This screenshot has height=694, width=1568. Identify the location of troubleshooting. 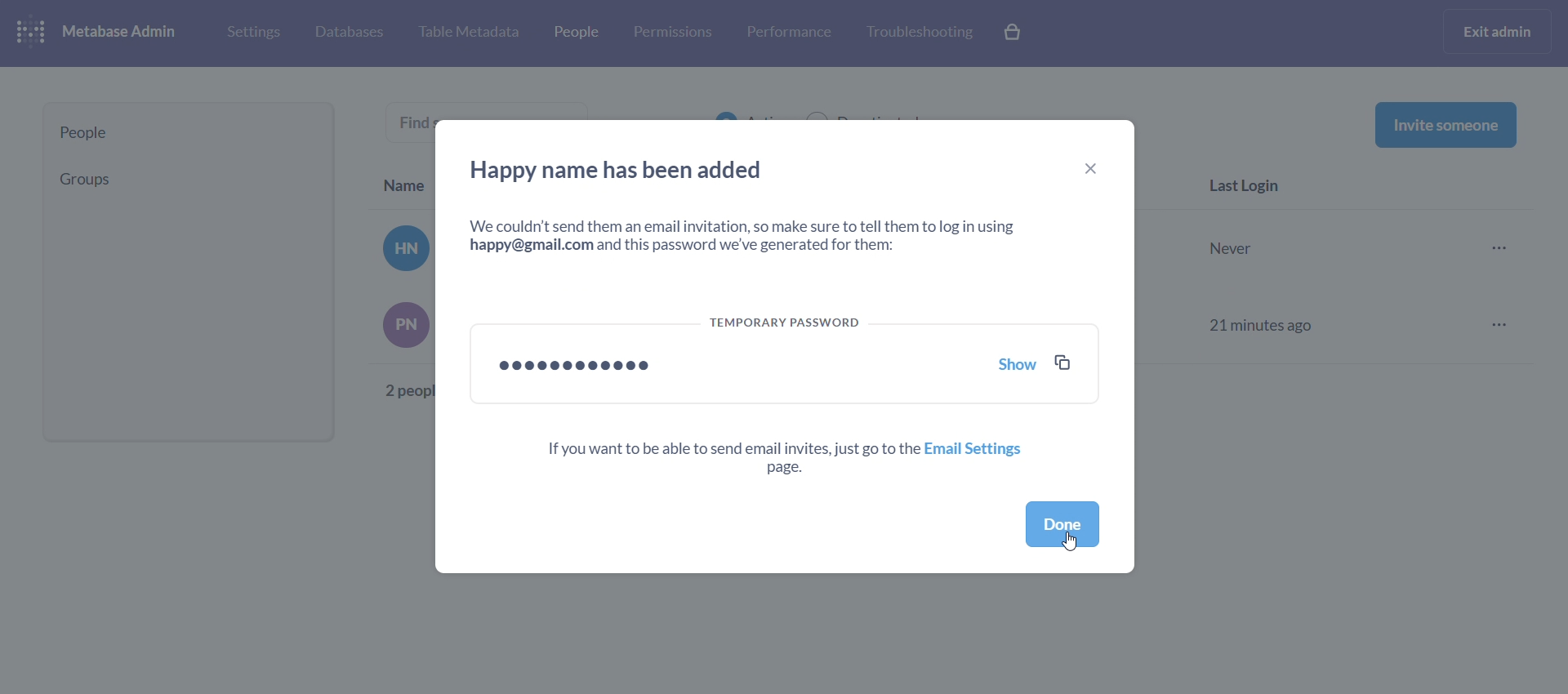
(918, 33).